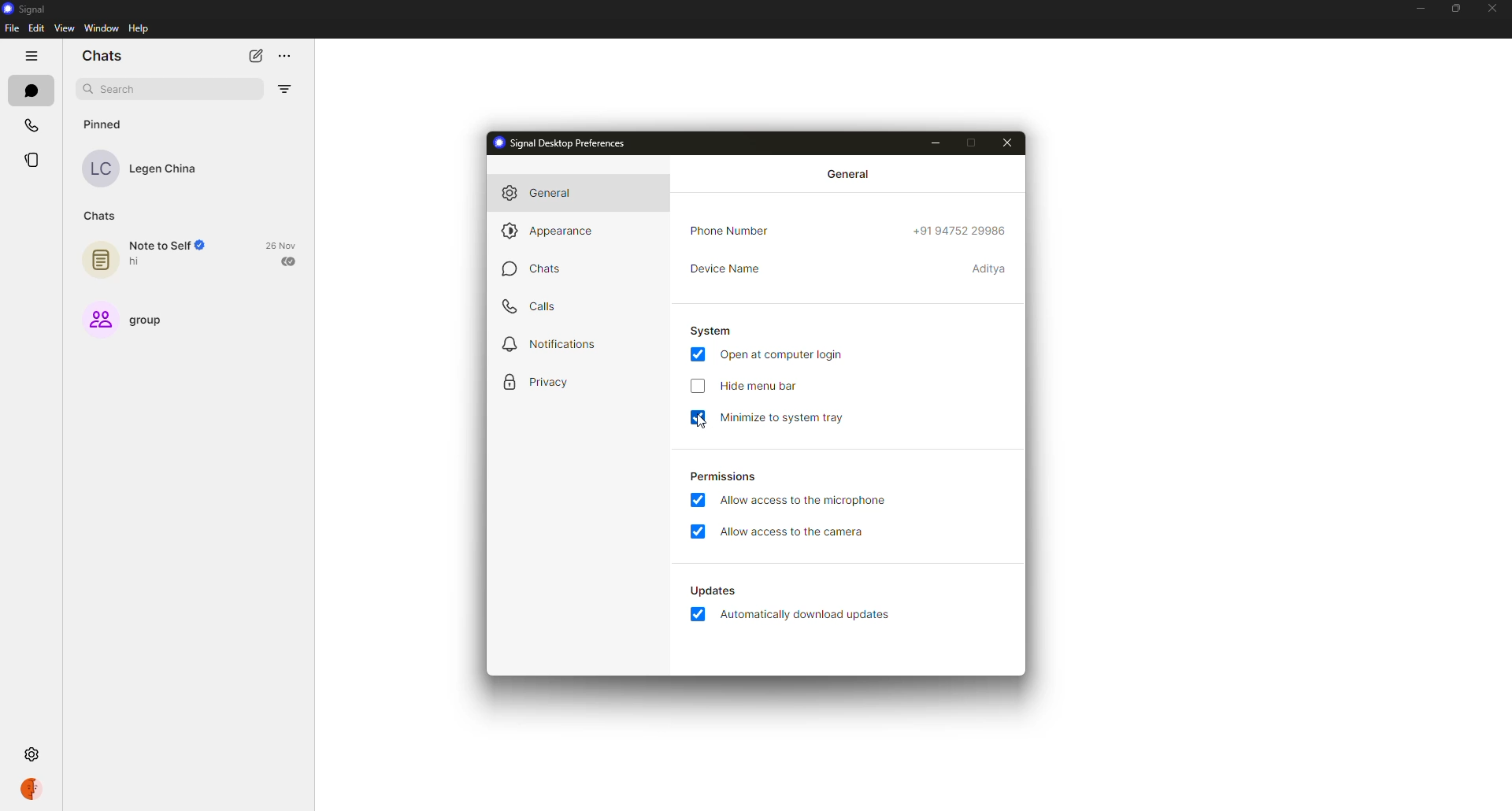 Image resolution: width=1512 pixels, height=811 pixels. I want to click on general, so click(548, 194).